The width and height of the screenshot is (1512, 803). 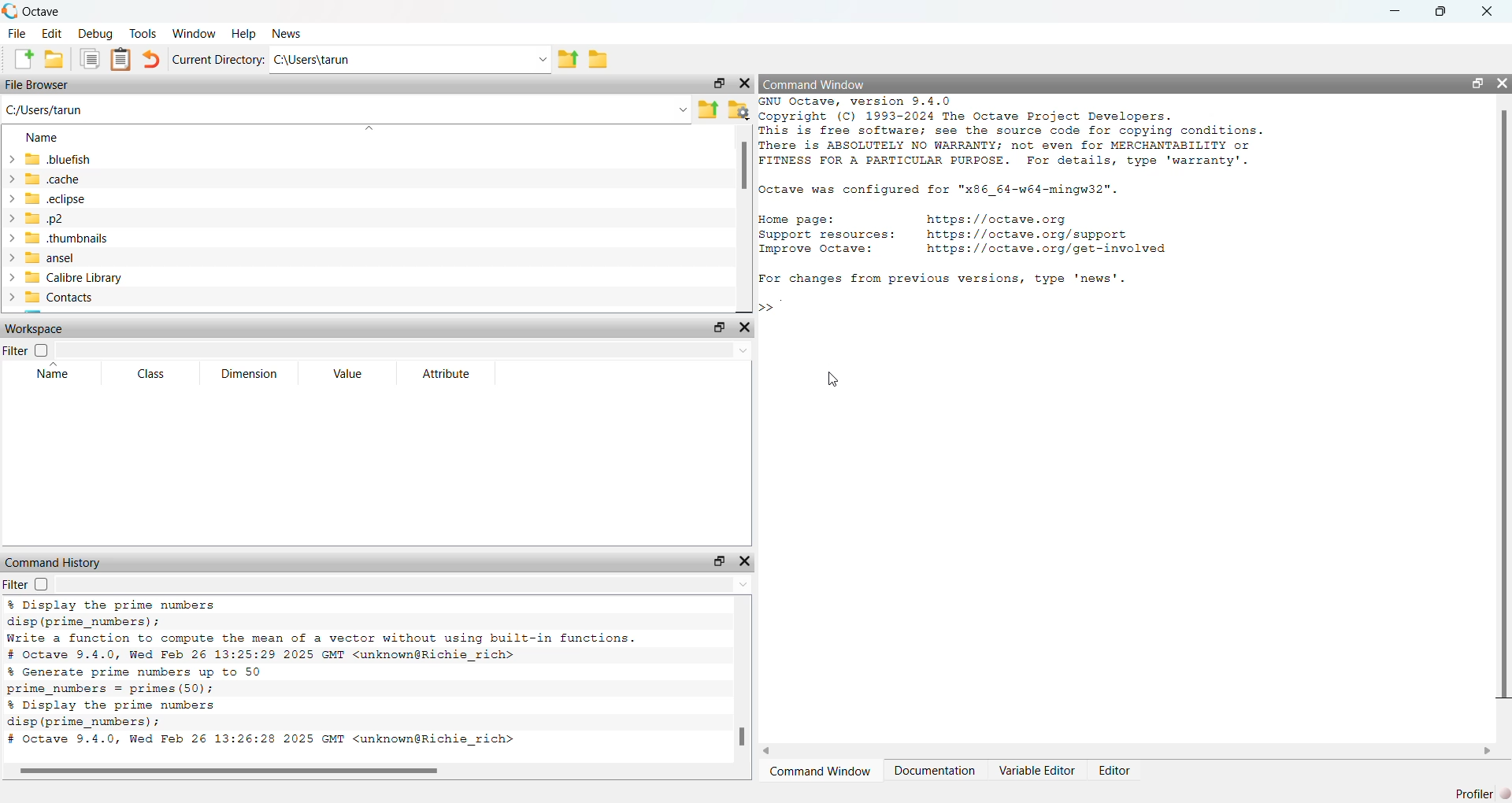 I want to click on Debug, so click(x=96, y=34).